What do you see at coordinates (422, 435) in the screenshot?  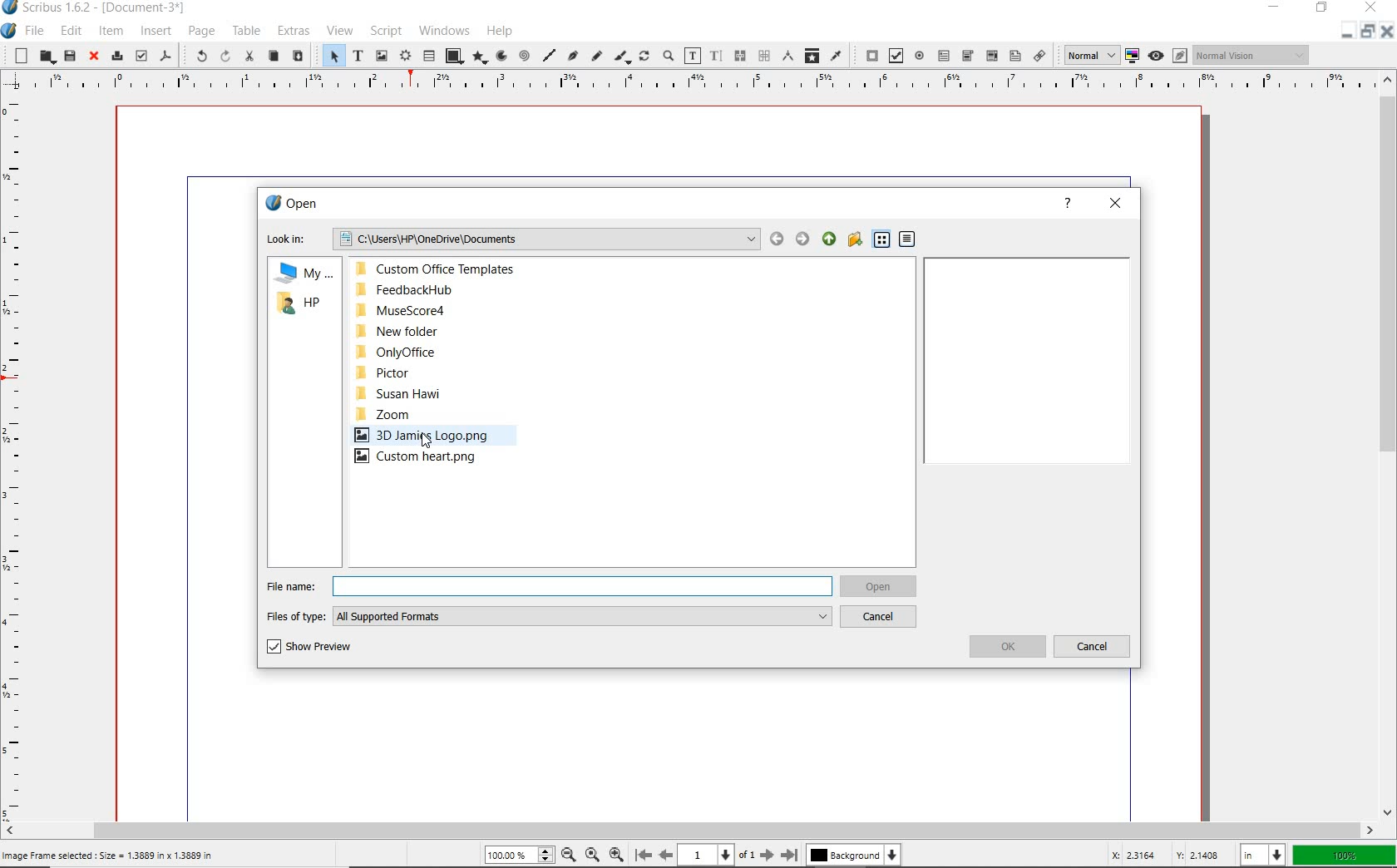 I see `IMAGE` at bounding box center [422, 435].